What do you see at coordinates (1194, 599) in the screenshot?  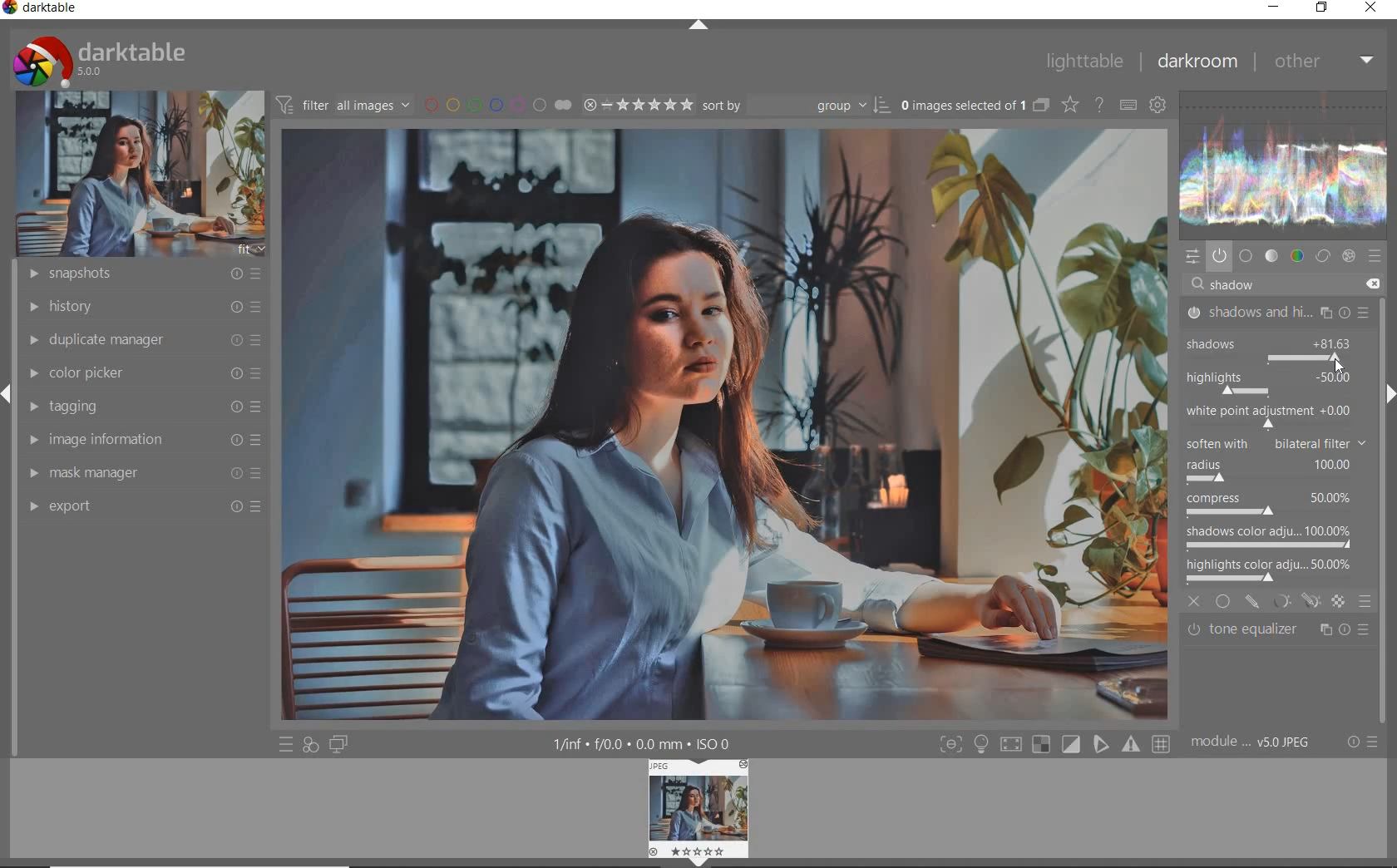 I see `close` at bounding box center [1194, 599].